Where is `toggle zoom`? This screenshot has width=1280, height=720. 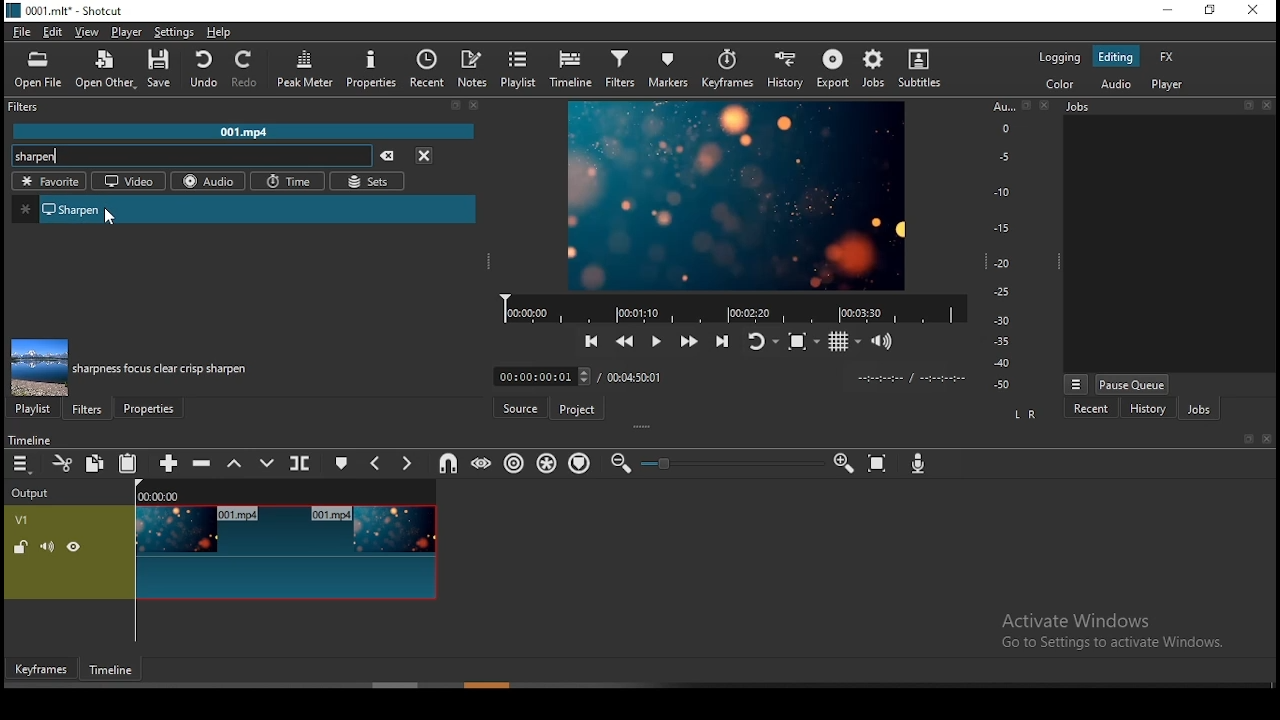 toggle zoom is located at coordinates (799, 342).